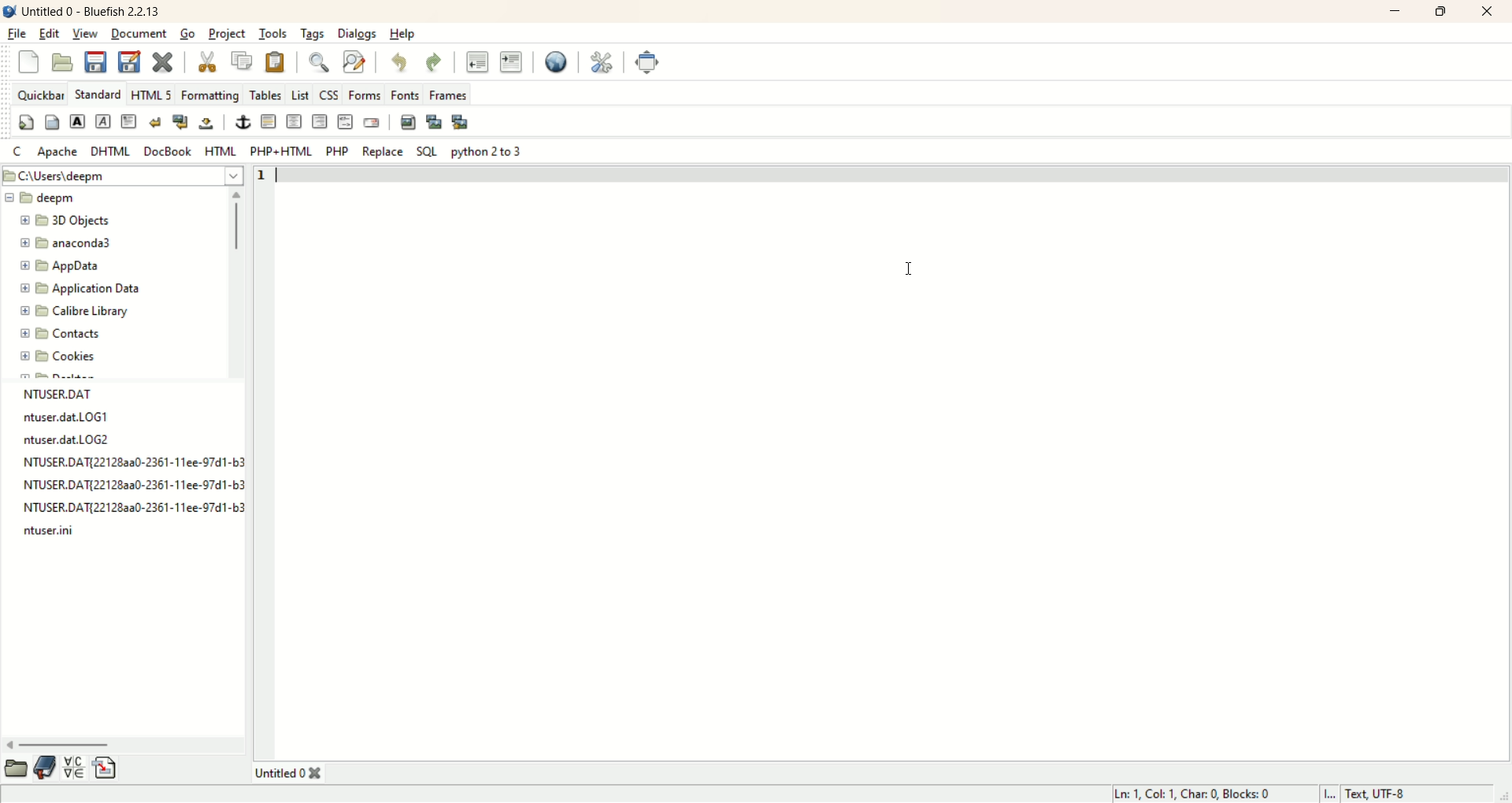 The image size is (1512, 803). I want to click on title, so click(95, 11).